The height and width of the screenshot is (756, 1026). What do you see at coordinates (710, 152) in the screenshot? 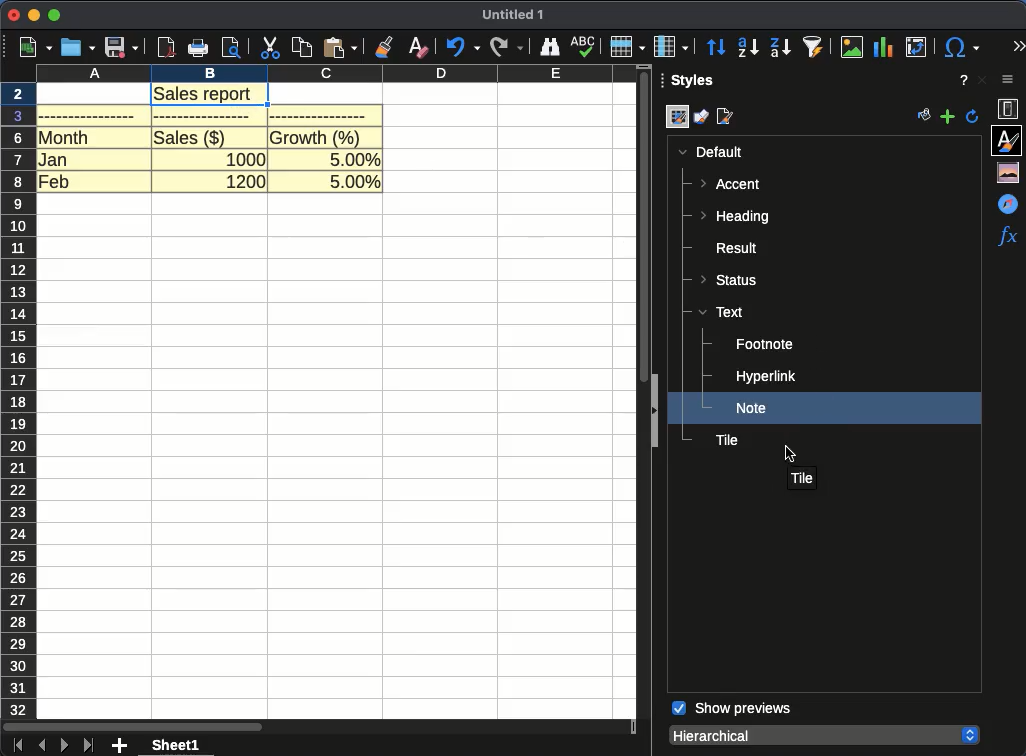
I see `default ` at bounding box center [710, 152].